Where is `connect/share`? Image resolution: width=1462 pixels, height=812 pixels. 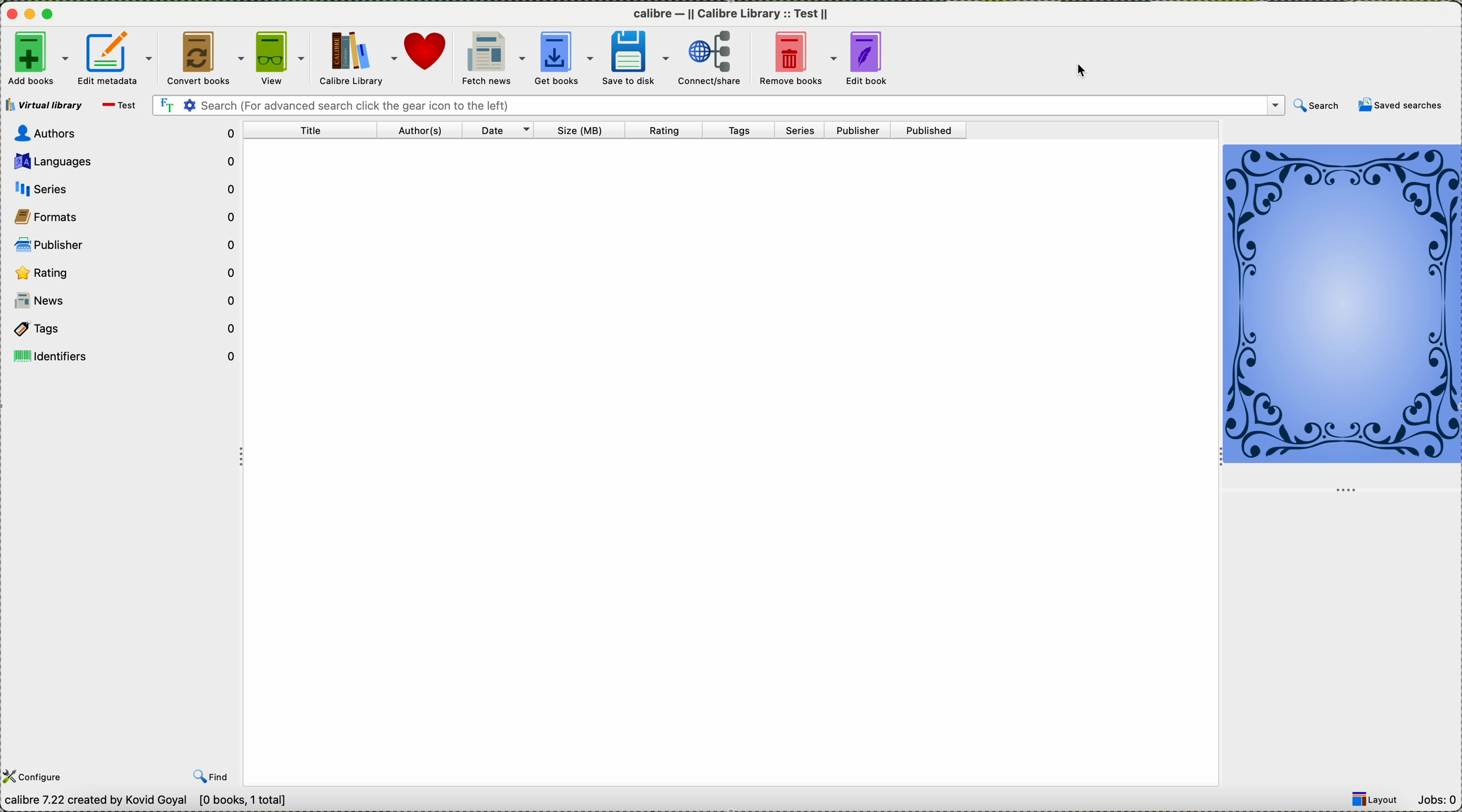
connect/share is located at coordinates (717, 59).